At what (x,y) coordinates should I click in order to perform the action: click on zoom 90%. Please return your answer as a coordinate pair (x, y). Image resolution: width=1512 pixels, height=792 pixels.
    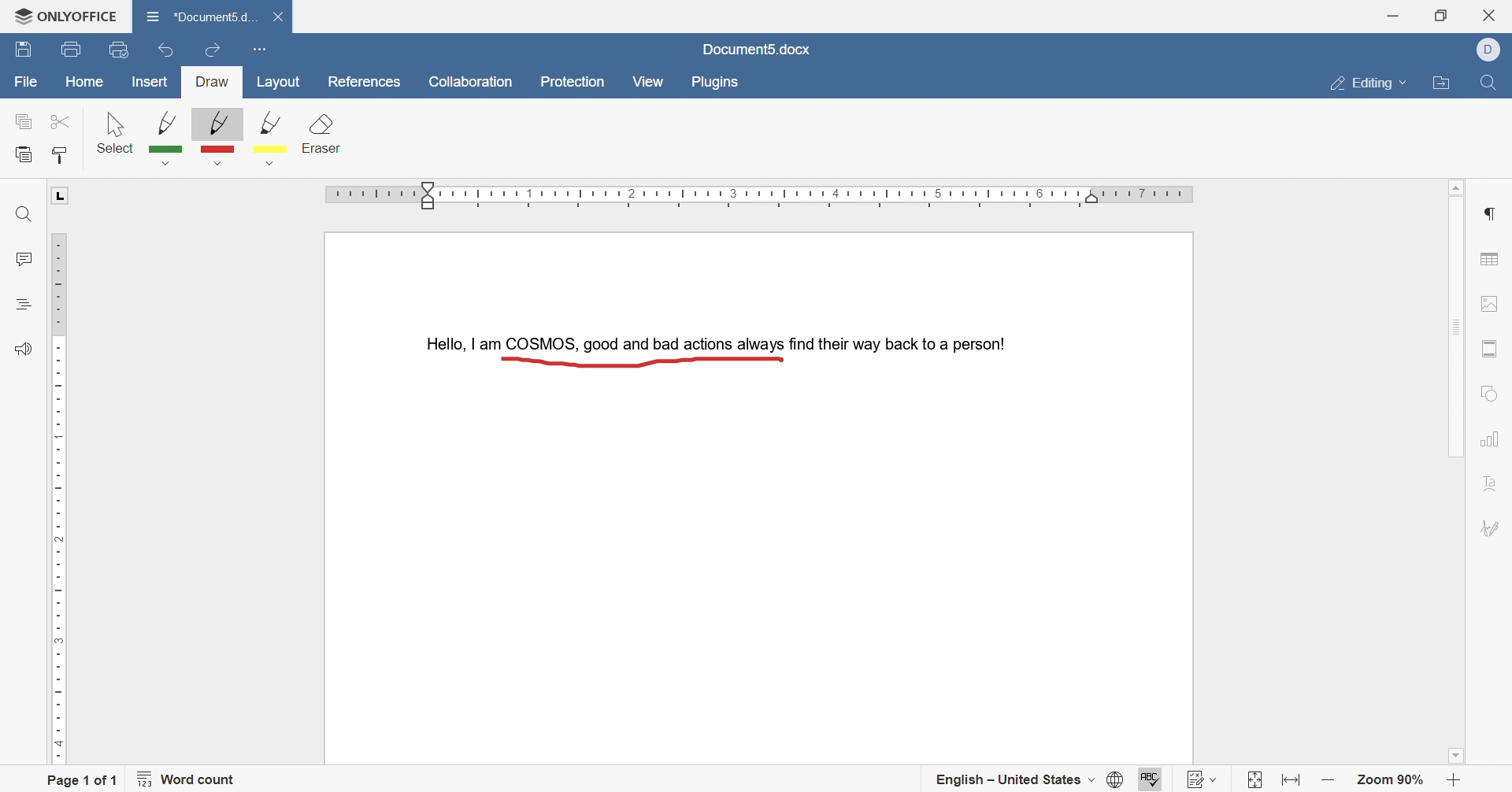
    Looking at the image, I should click on (1392, 781).